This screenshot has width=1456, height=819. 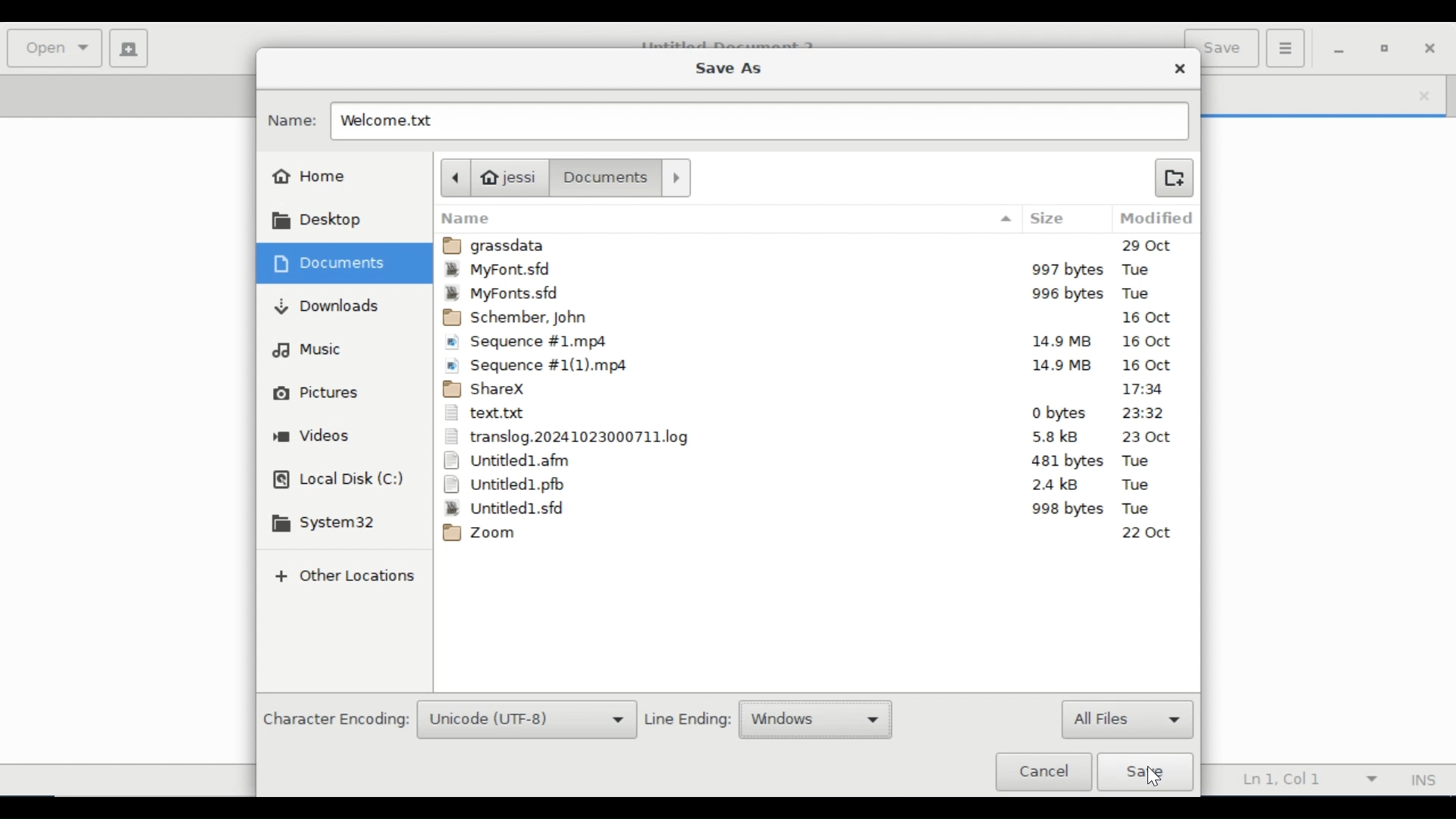 I want to click on MyFont.sfd 995bytes Tue, so click(x=817, y=294).